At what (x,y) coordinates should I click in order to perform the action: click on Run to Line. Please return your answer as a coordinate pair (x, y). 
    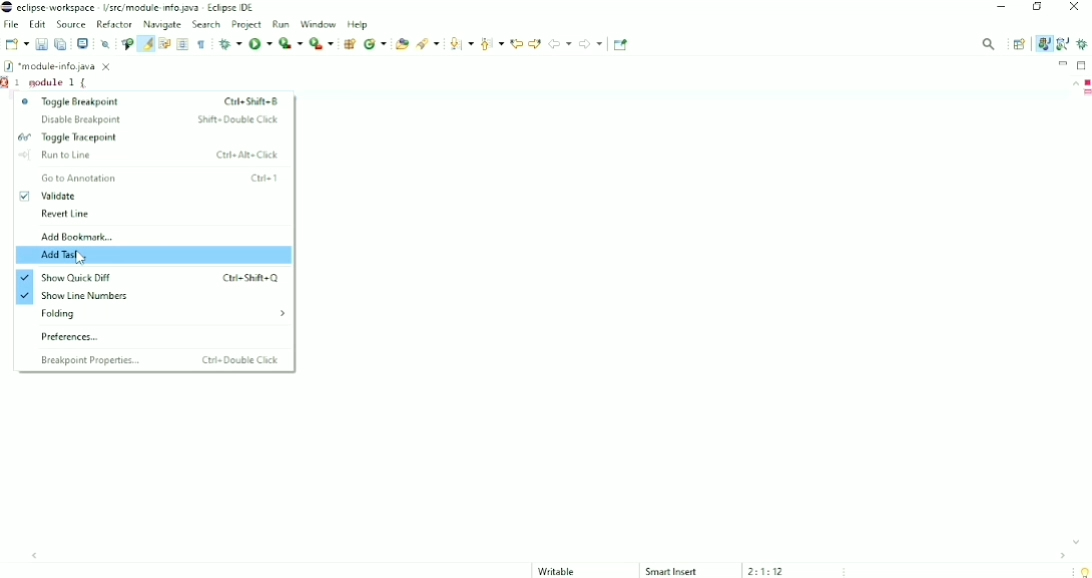
    Looking at the image, I should click on (149, 156).